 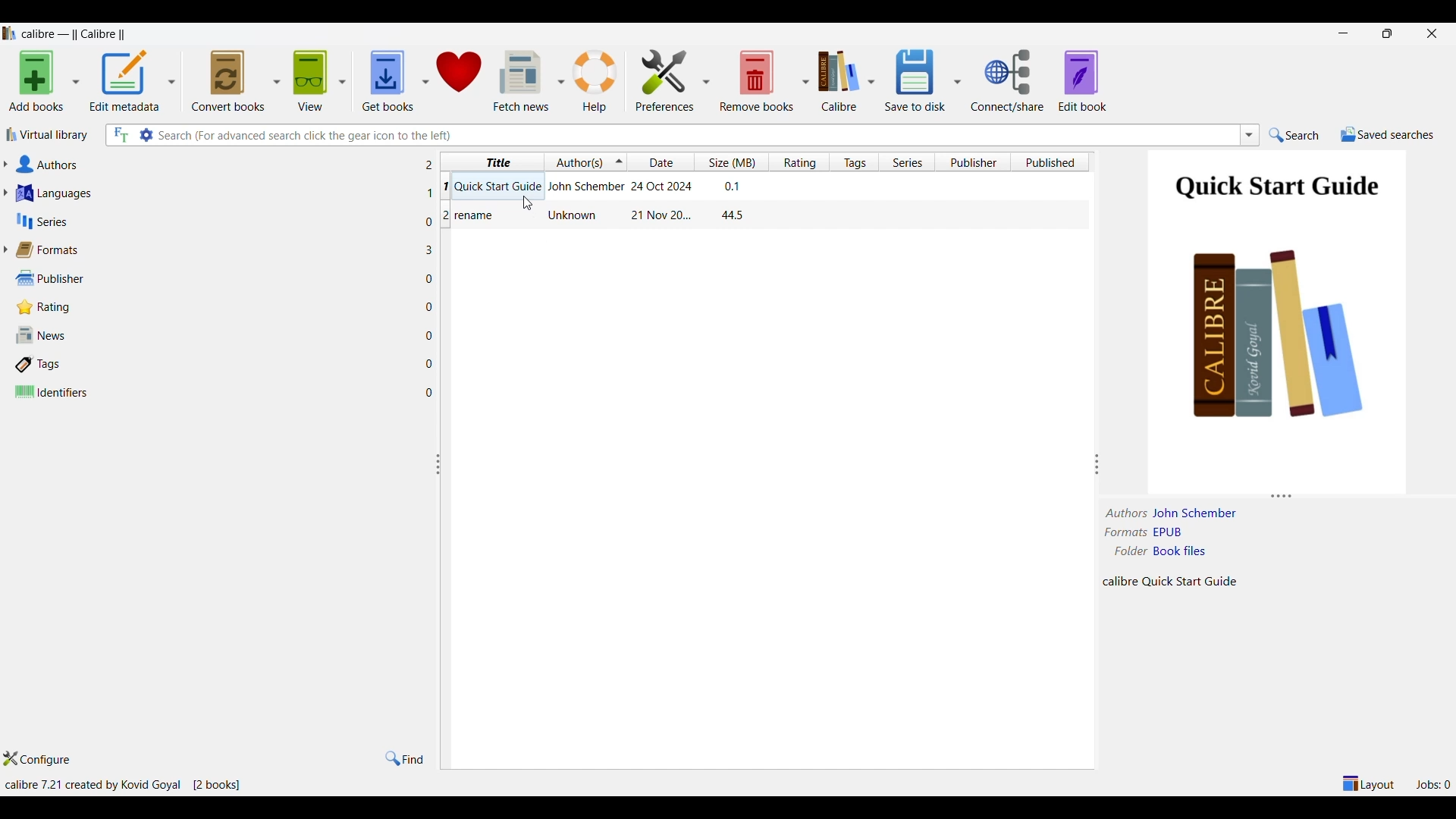 What do you see at coordinates (218, 308) in the screenshot?
I see `Rating` at bounding box center [218, 308].